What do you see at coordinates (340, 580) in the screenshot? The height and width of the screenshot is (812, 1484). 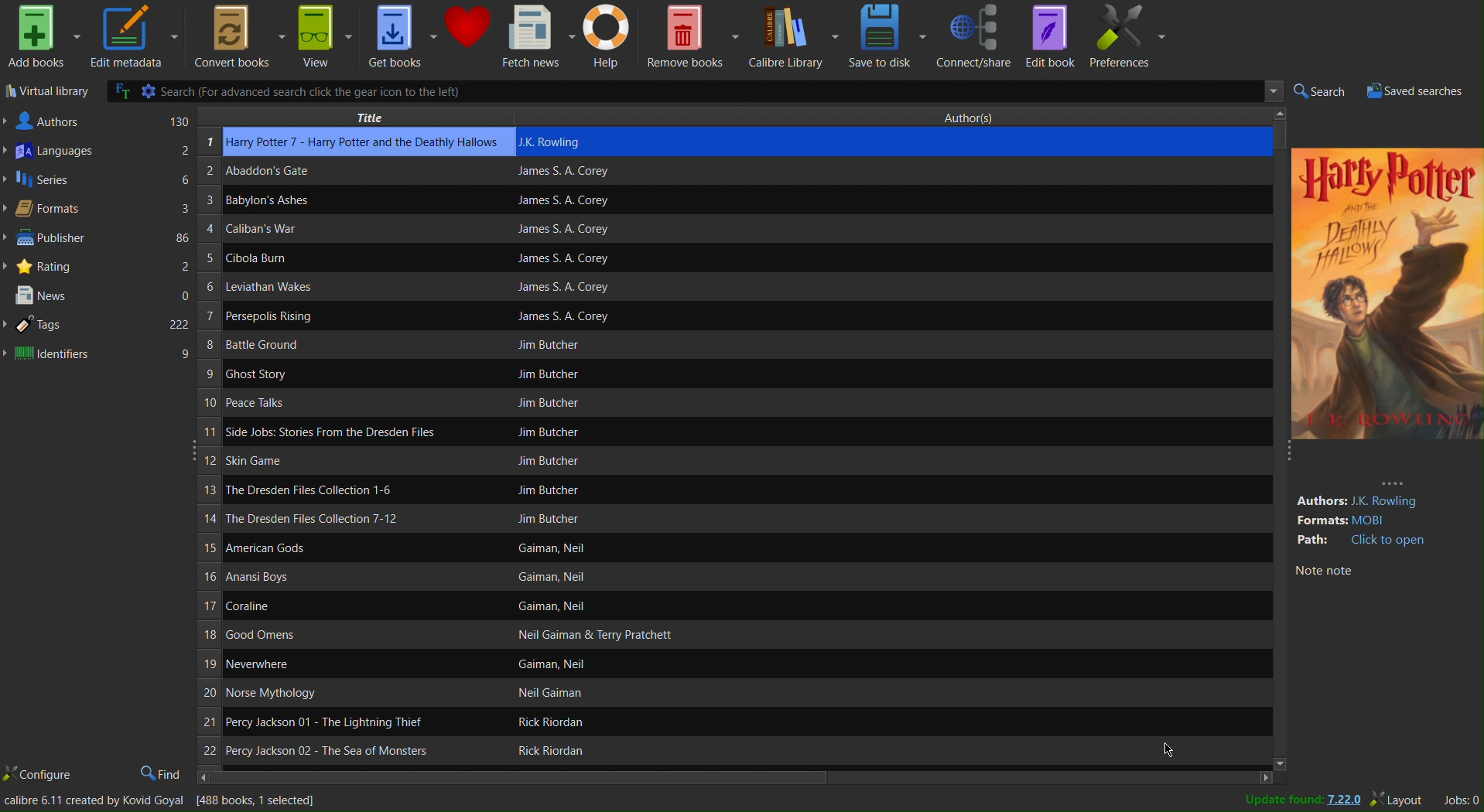 I see `Book name` at bounding box center [340, 580].